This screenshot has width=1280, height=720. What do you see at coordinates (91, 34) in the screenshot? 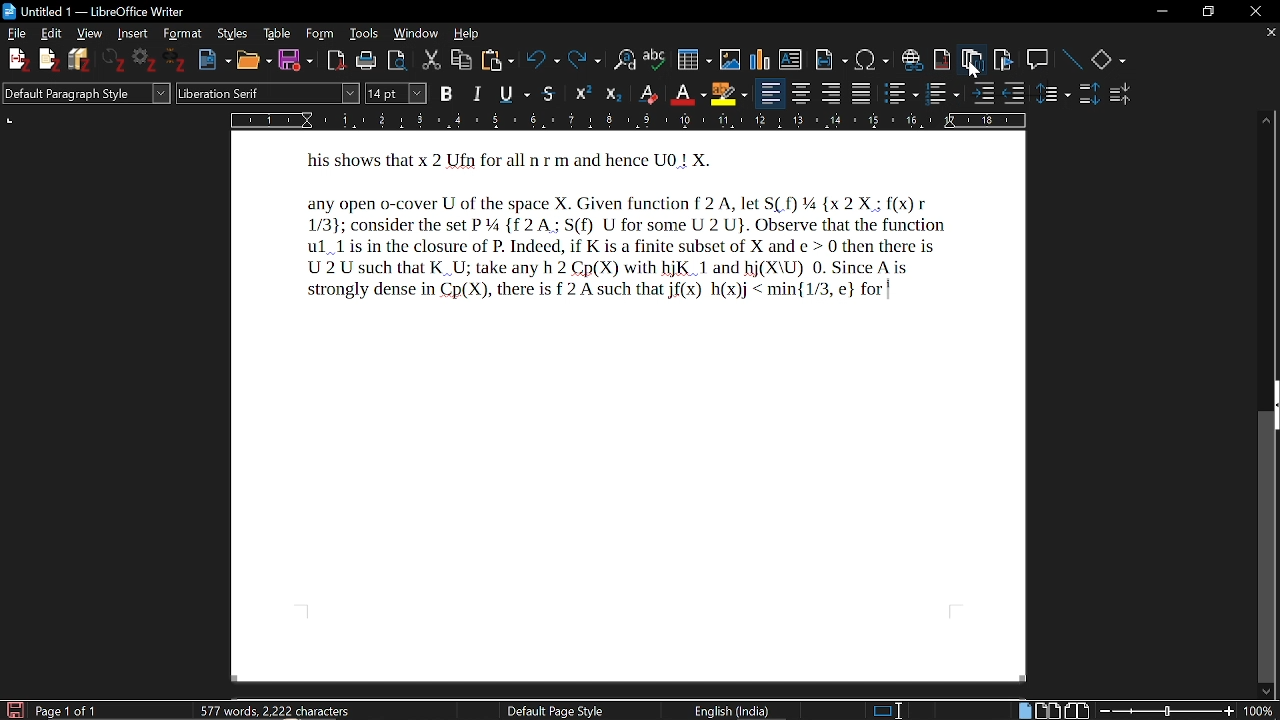
I see `View` at bounding box center [91, 34].